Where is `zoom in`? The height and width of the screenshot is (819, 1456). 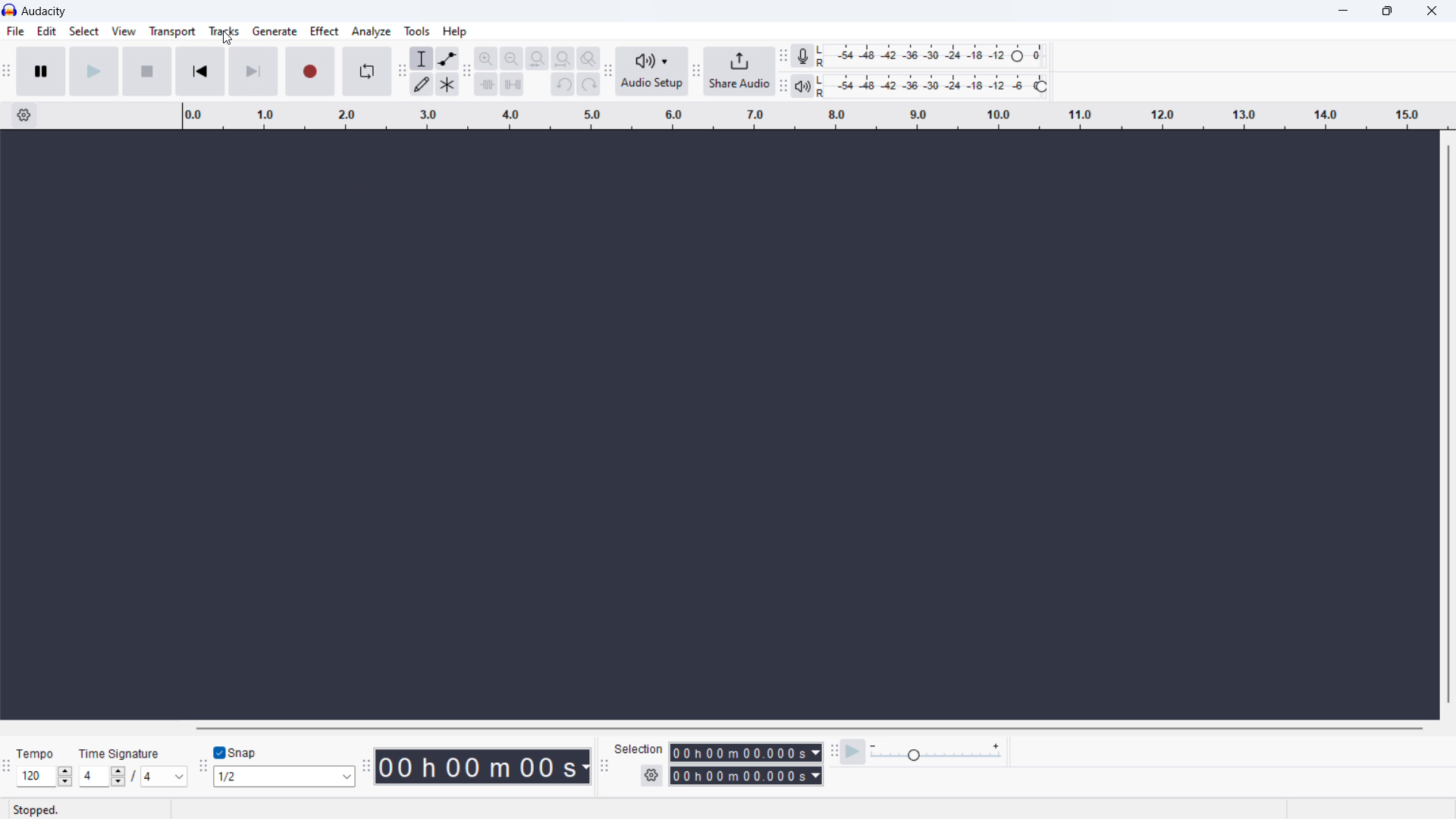 zoom in is located at coordinates (486, 58).